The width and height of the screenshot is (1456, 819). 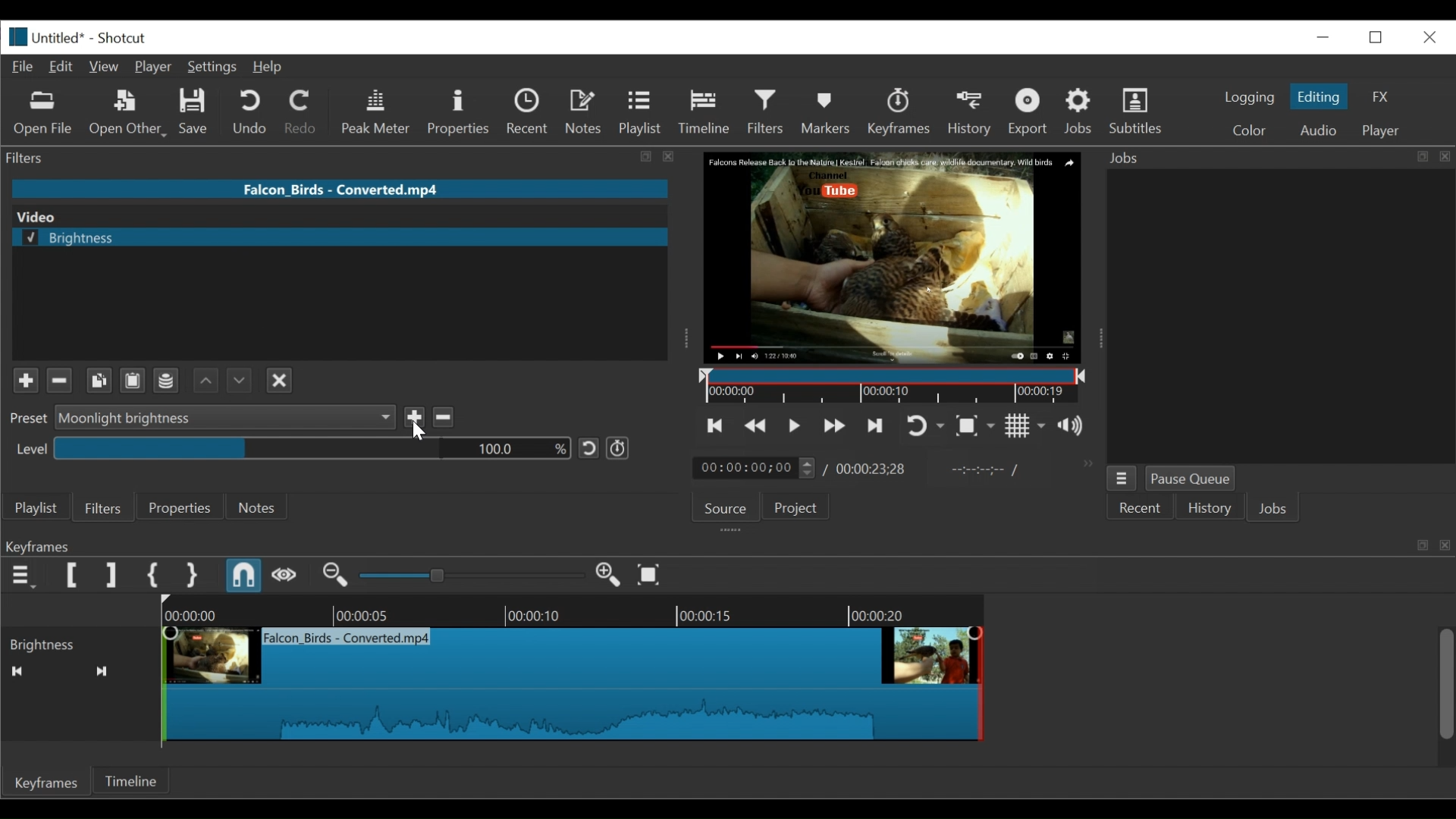 What do you see at coordinates (36, 509) in the screenshot?
I see `Playlist menu` at bounding box center [36, 509].